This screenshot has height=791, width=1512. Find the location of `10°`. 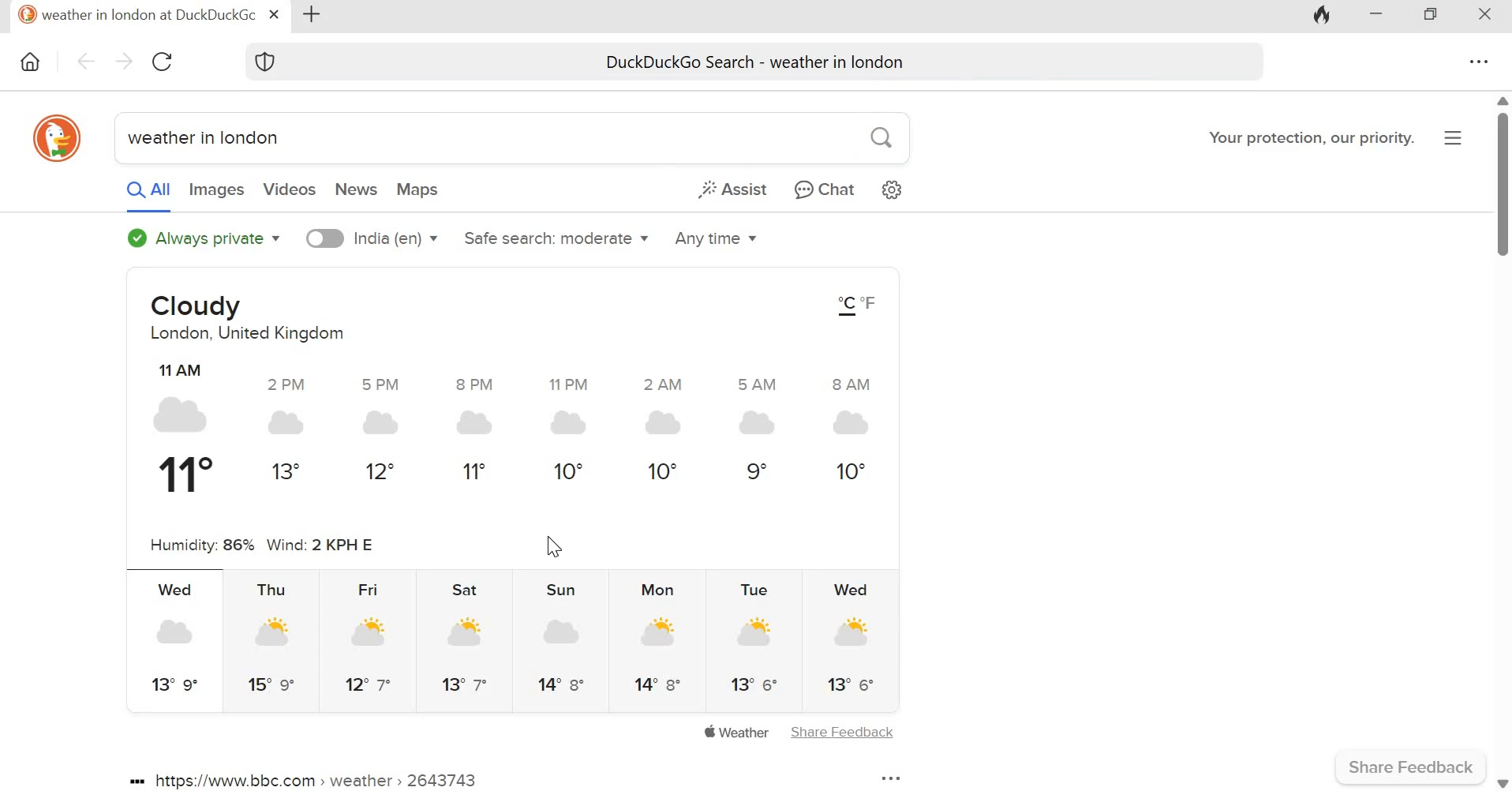

10° is located at coordinates (567, 471).